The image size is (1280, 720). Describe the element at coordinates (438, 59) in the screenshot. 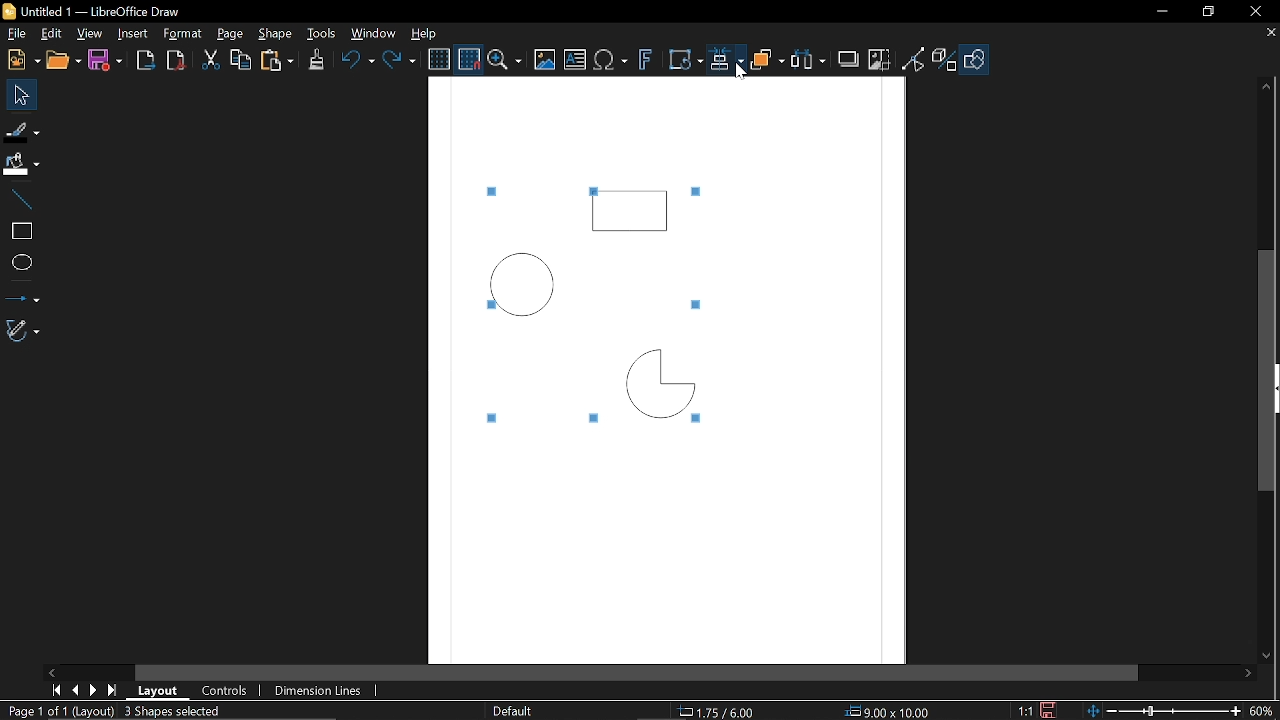

I see `Display grid` at that location.